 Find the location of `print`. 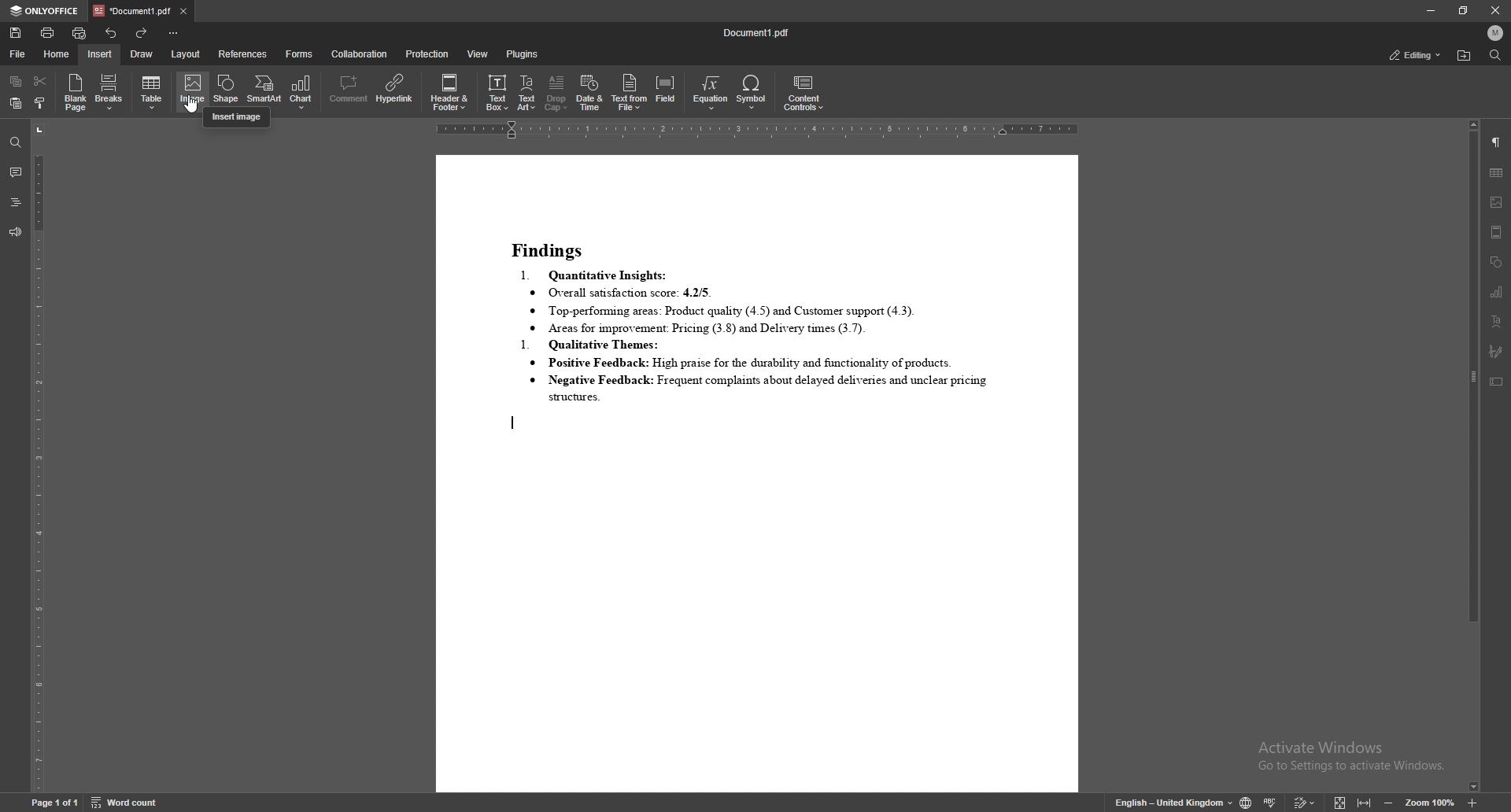

print is located at coordinates (48, 32).